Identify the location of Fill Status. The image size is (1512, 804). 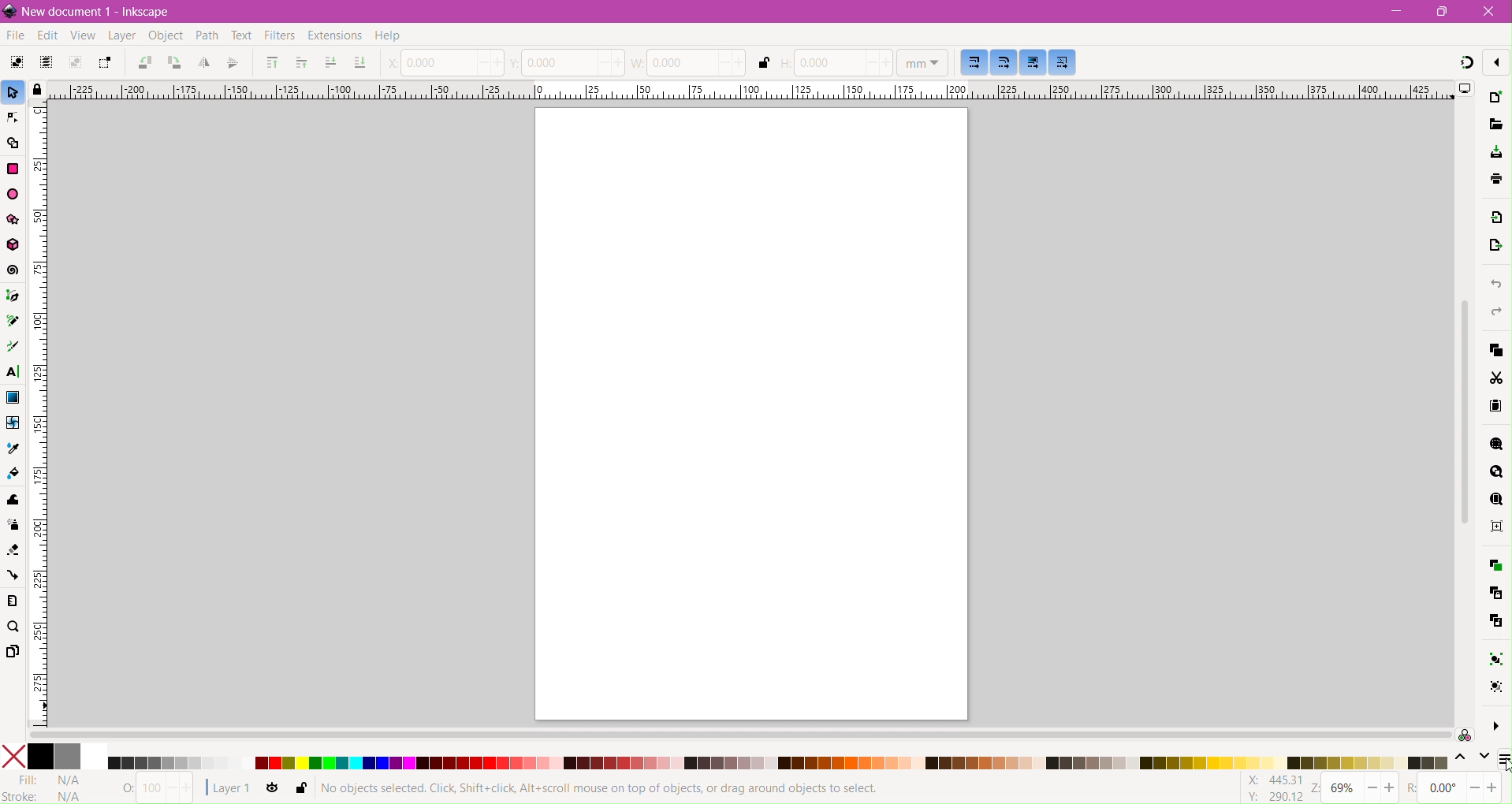
(52, 780).